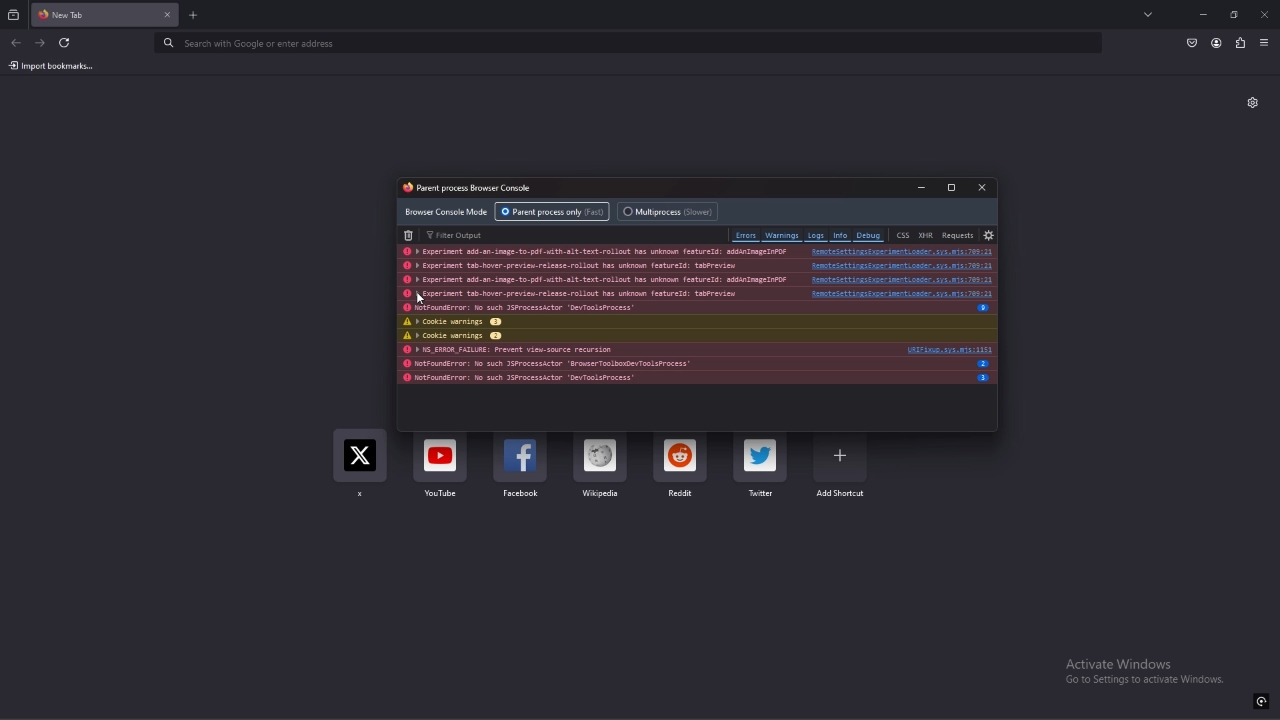  What do you see at coordinates (923, 188) in the screenshot?
I see `minimize` at bounding box center [923, 188].